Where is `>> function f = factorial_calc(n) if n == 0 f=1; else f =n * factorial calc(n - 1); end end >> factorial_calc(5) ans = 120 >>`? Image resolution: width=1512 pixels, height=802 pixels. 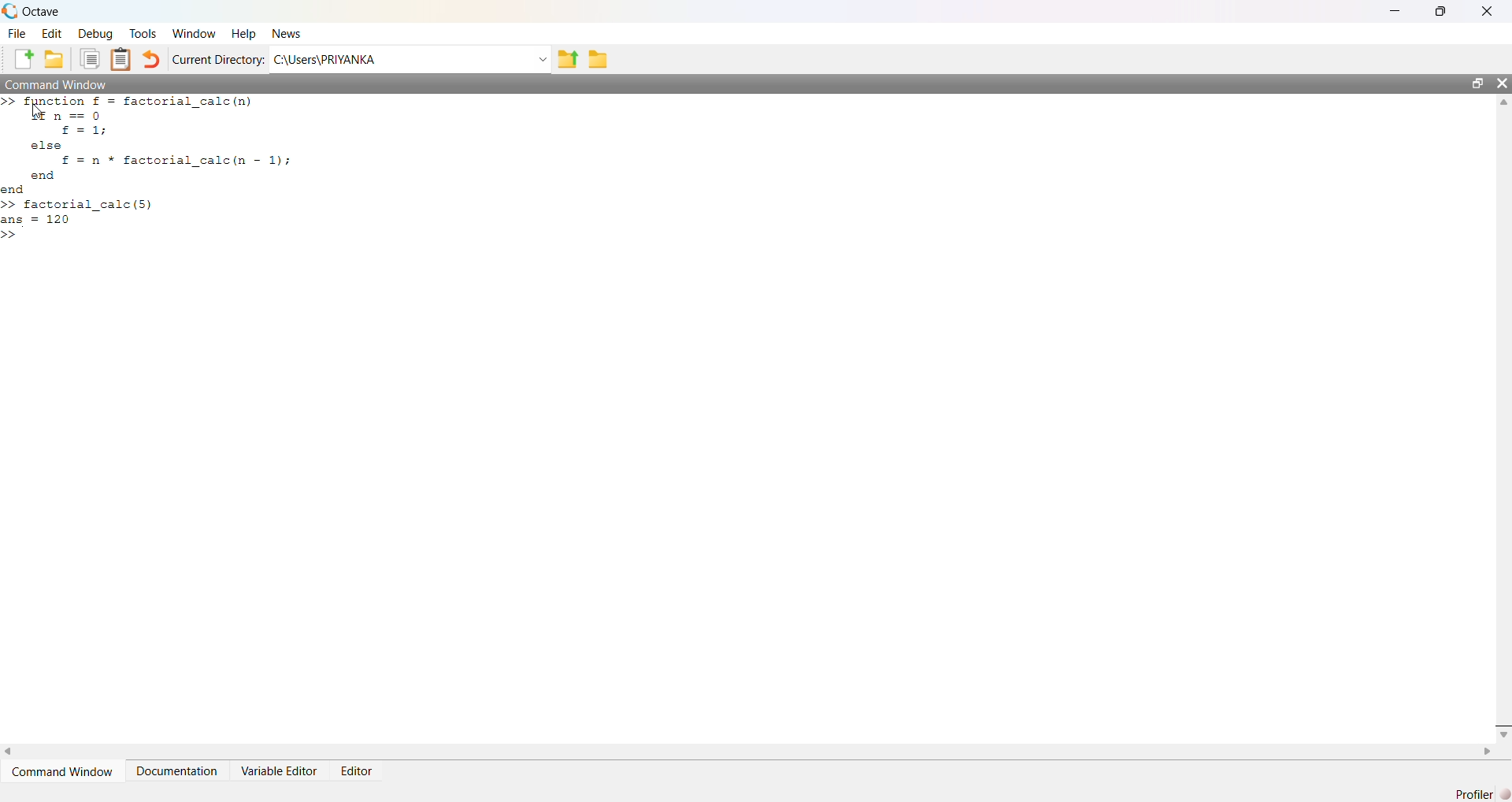
>> function f = factorial_calc(n) if n == 0 f=1; else f =n * factorial calc(n - 1); end end >> factorial_calc(5) ans = 120 >> is located at coordinates (147, 169).